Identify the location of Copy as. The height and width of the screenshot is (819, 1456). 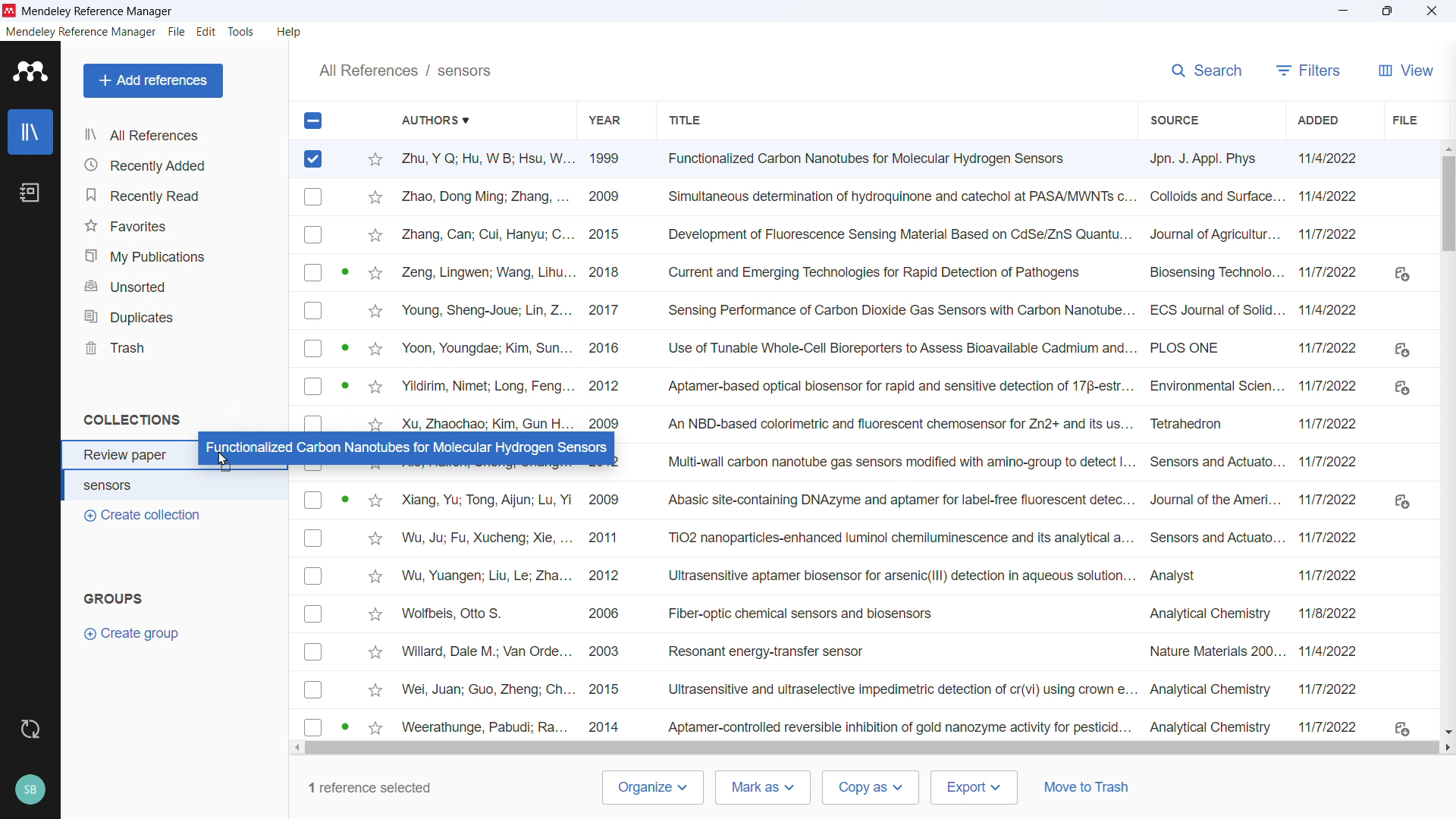
(871, 787).